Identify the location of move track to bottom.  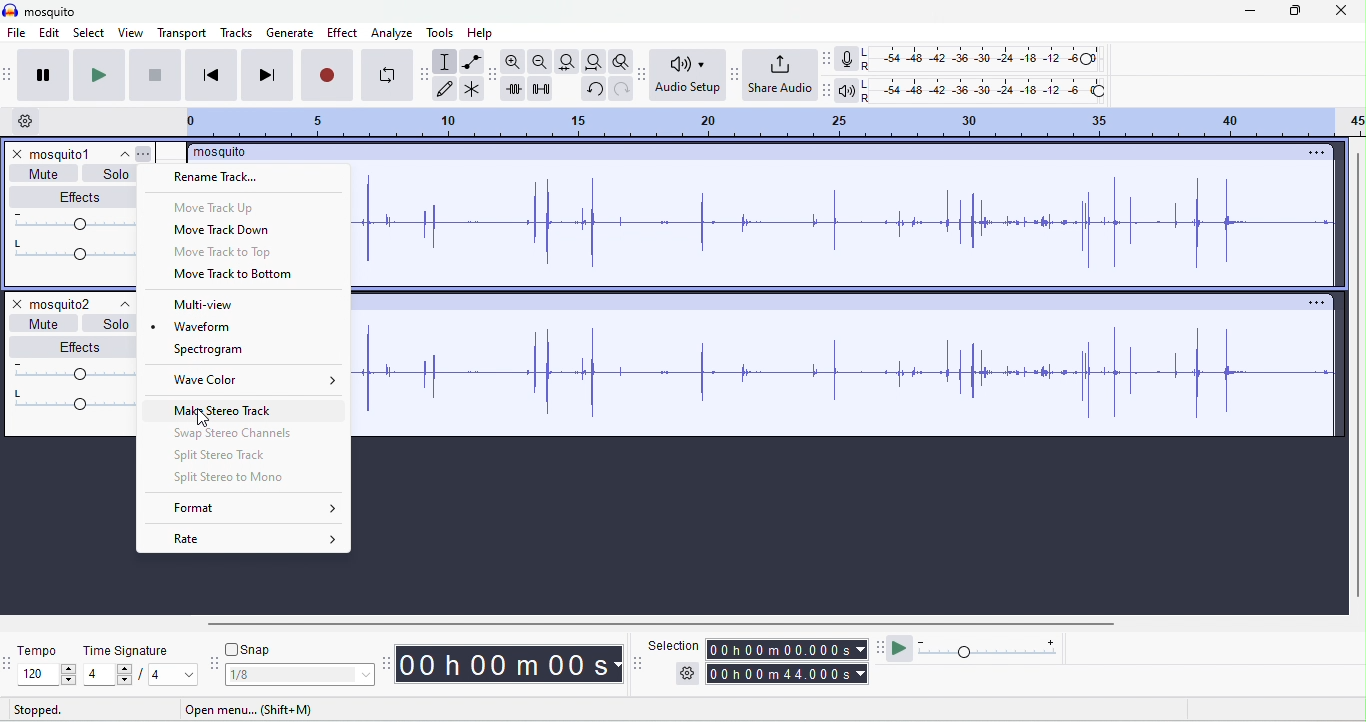
(234, 275).